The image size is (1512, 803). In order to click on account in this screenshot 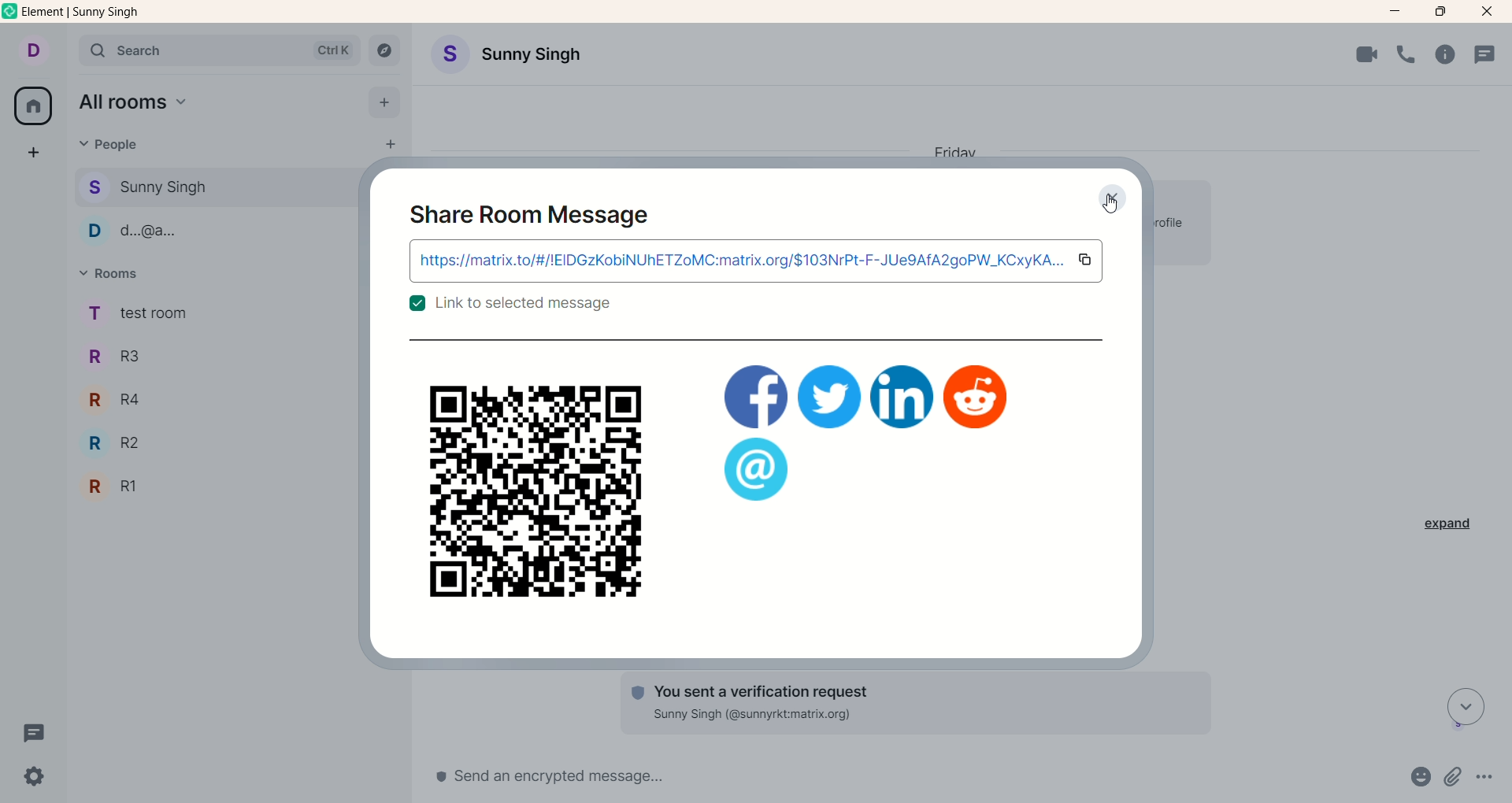, I will do `click(35, 52)`.